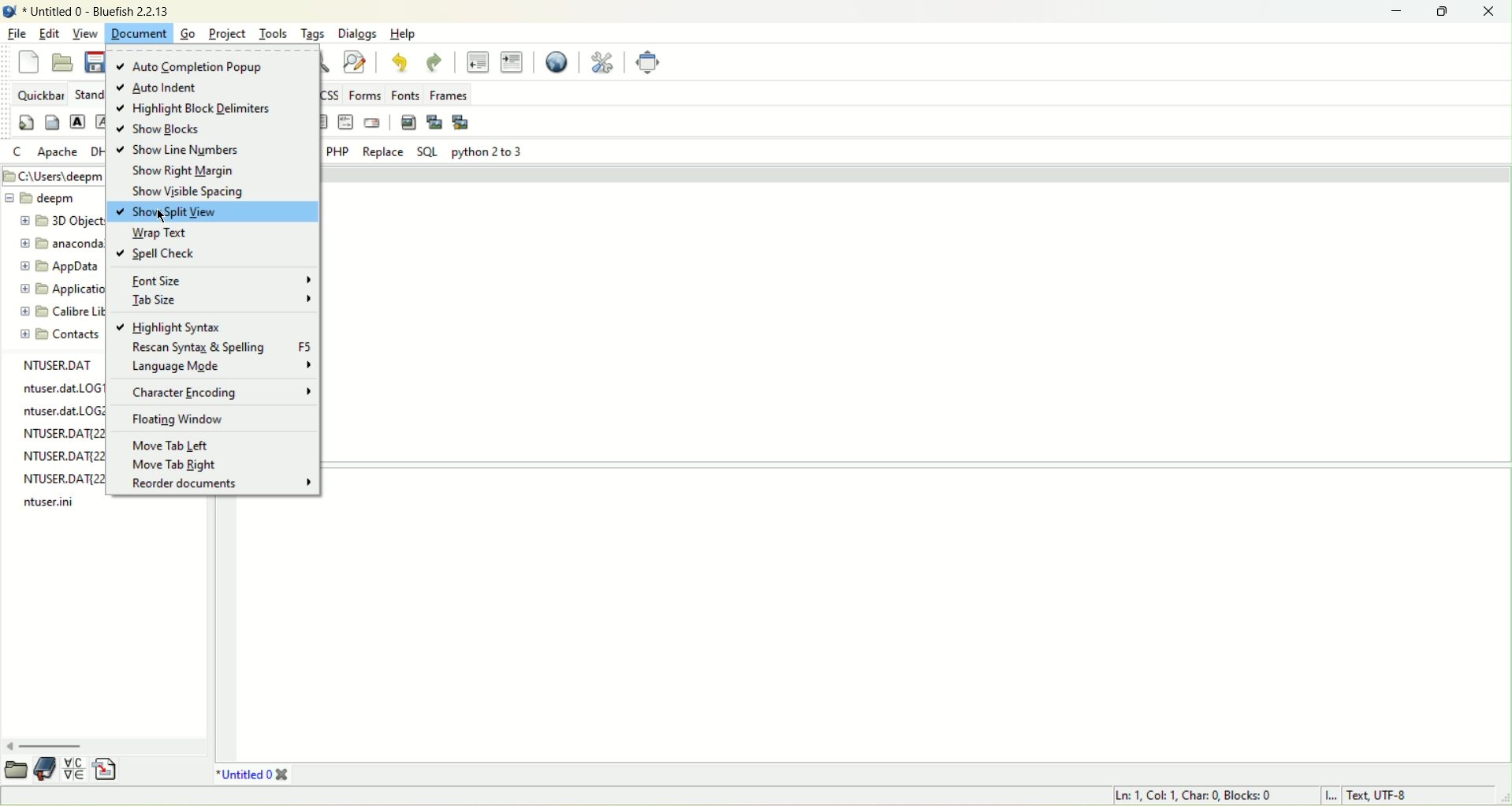 Image resolution: width=1512 pixels, height=806 pixels. What do you see at coordinates (9, 11) in the screenshot?
I see `bluefish icon` at bounding box center [9, 11].